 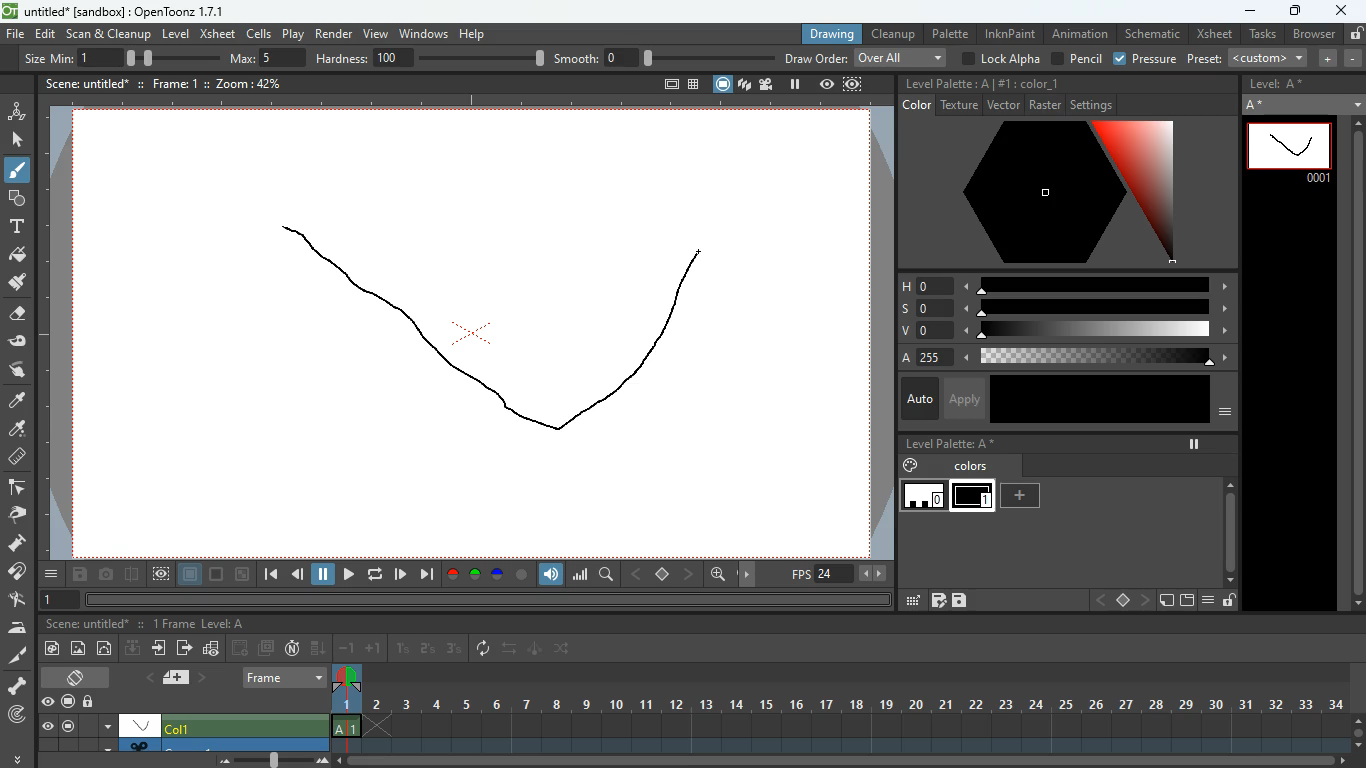 I want to click on rewind, so click(x=377, y=574).